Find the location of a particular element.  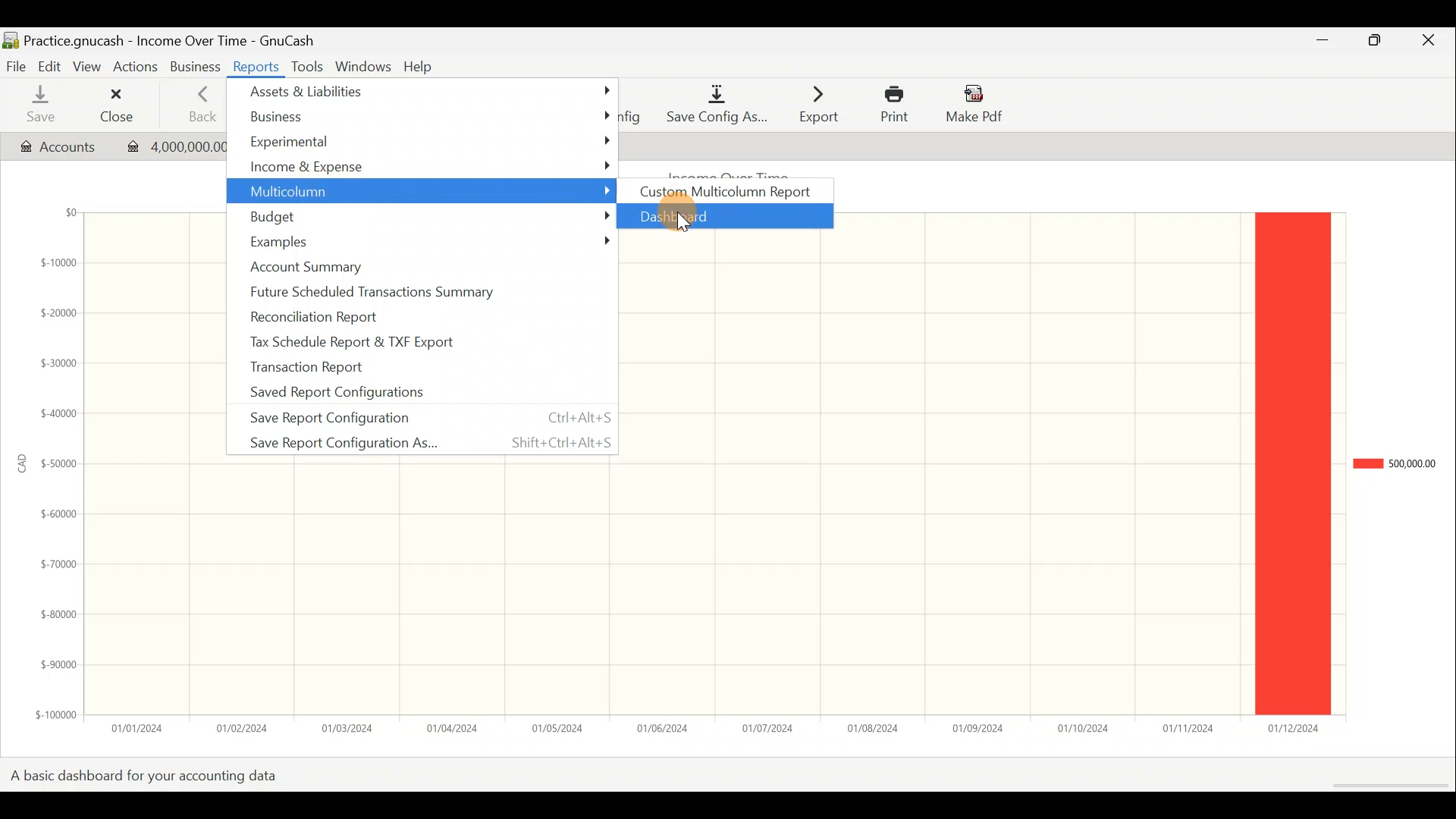

A basic dashboard for your accounting data is located at coordinates (148, 777).